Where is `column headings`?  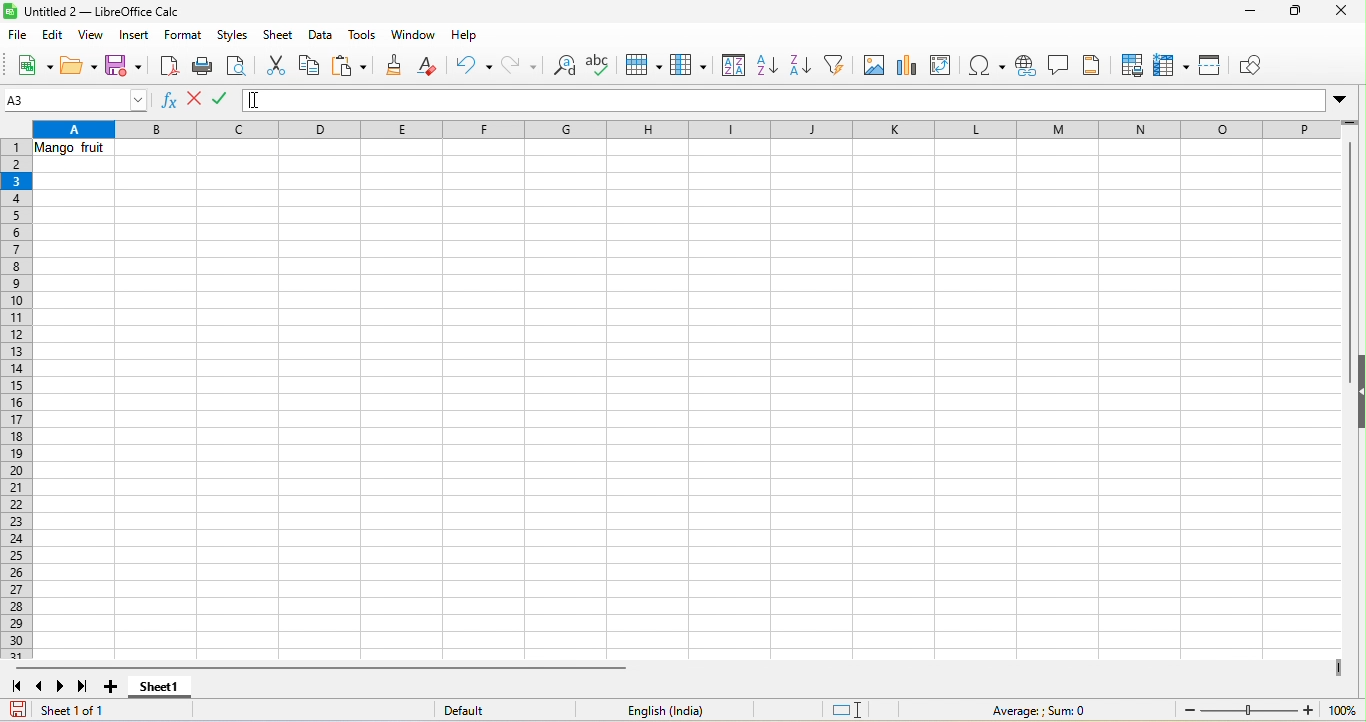
column headings is located at coordinates (695, 128).